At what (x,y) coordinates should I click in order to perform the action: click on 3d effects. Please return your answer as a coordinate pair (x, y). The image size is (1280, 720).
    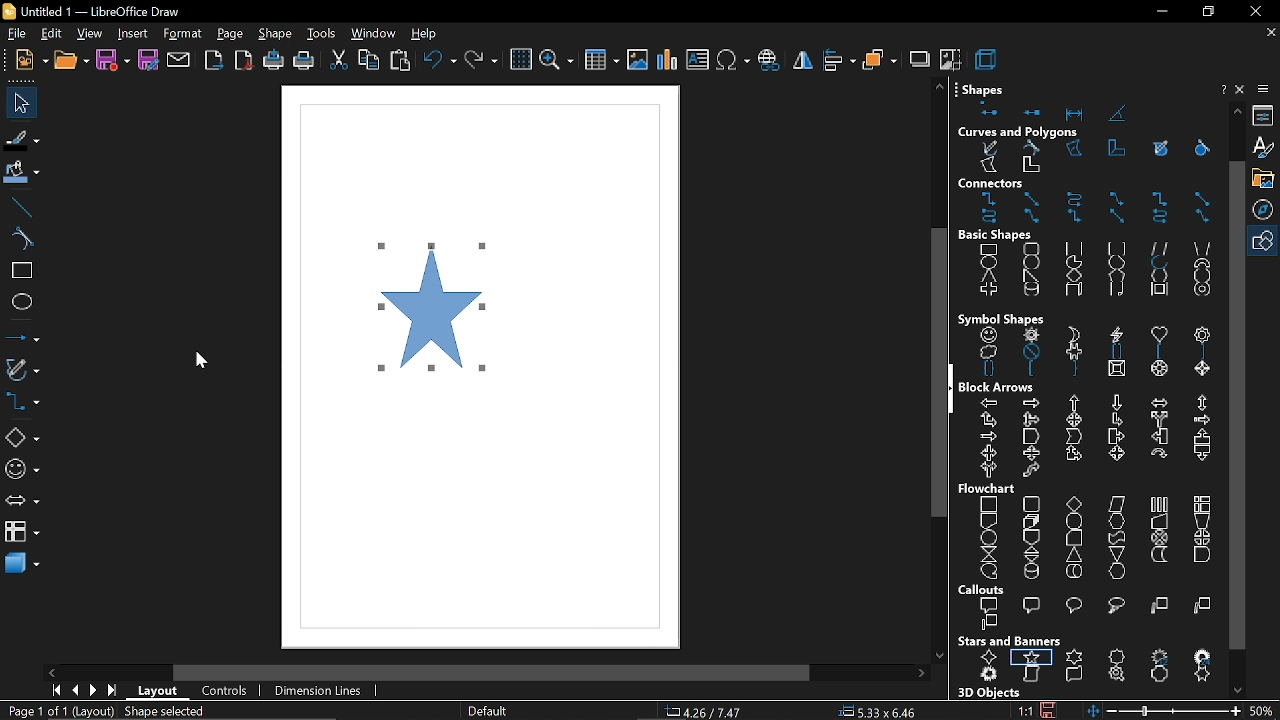
    Looking at the image, I should click on (989, 59).